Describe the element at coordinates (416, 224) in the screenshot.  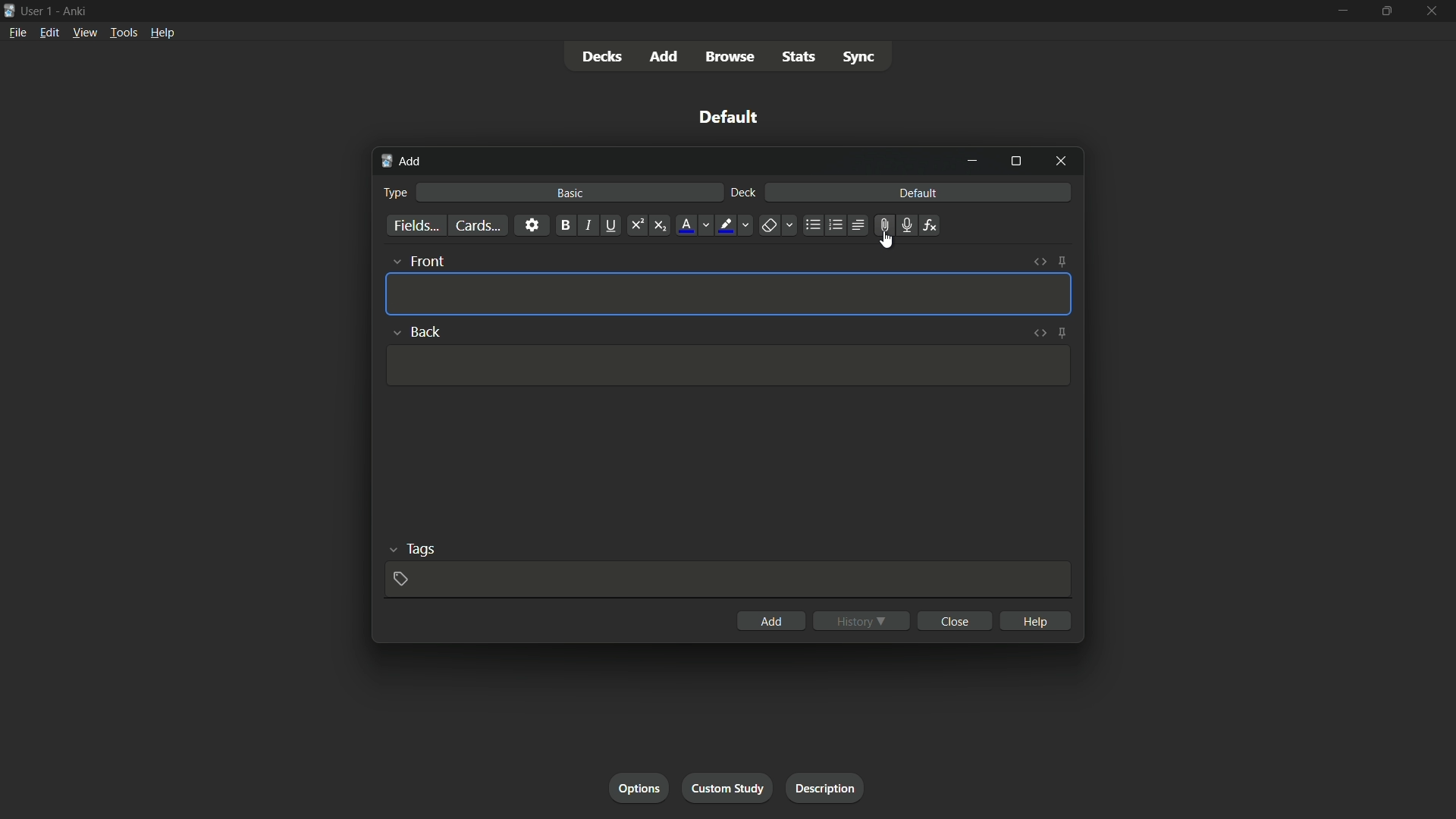
I see `fields` at that location.